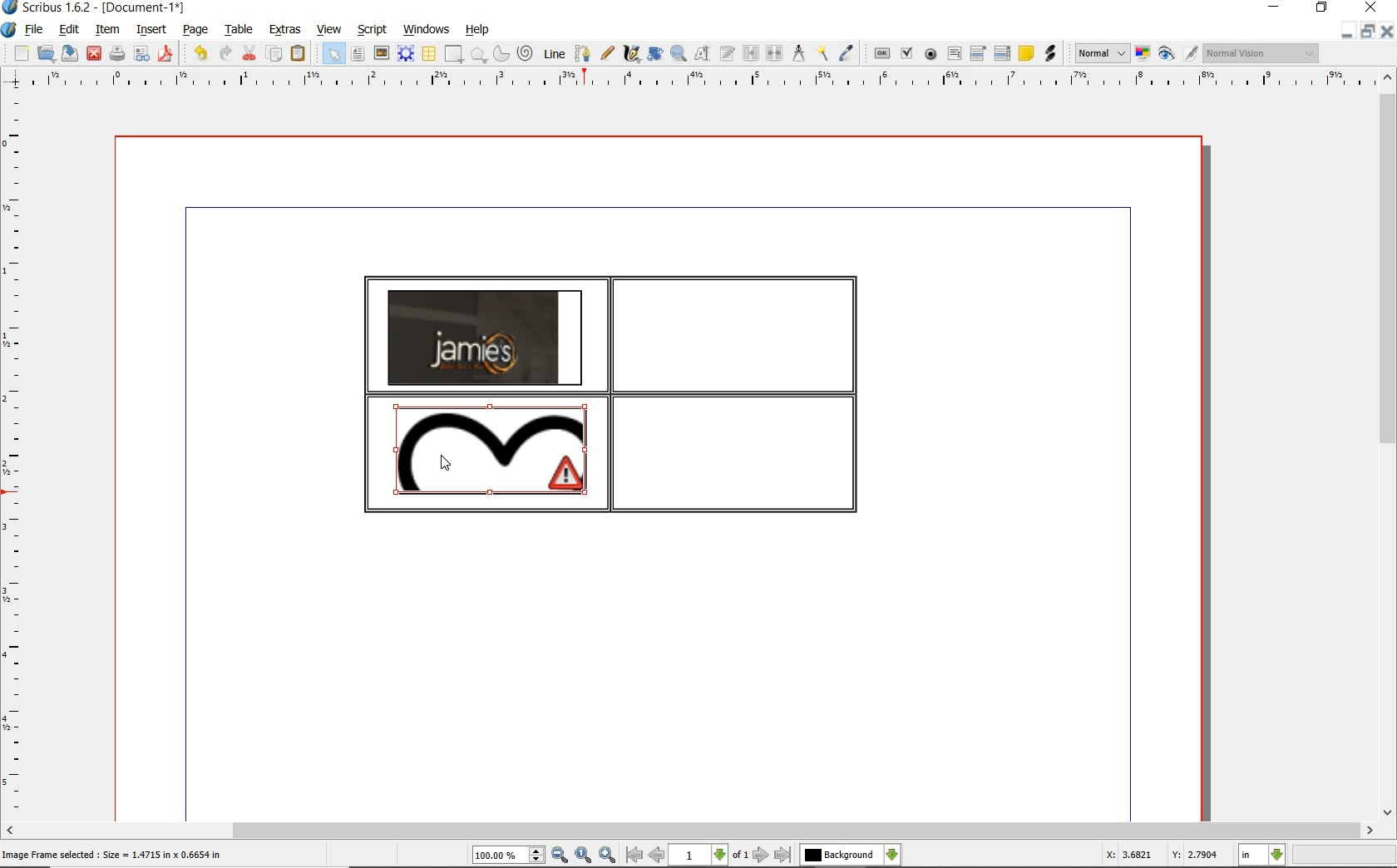 The height and width of the screenshot is (868, 1397). I want to click on copy, so click(275, 55).